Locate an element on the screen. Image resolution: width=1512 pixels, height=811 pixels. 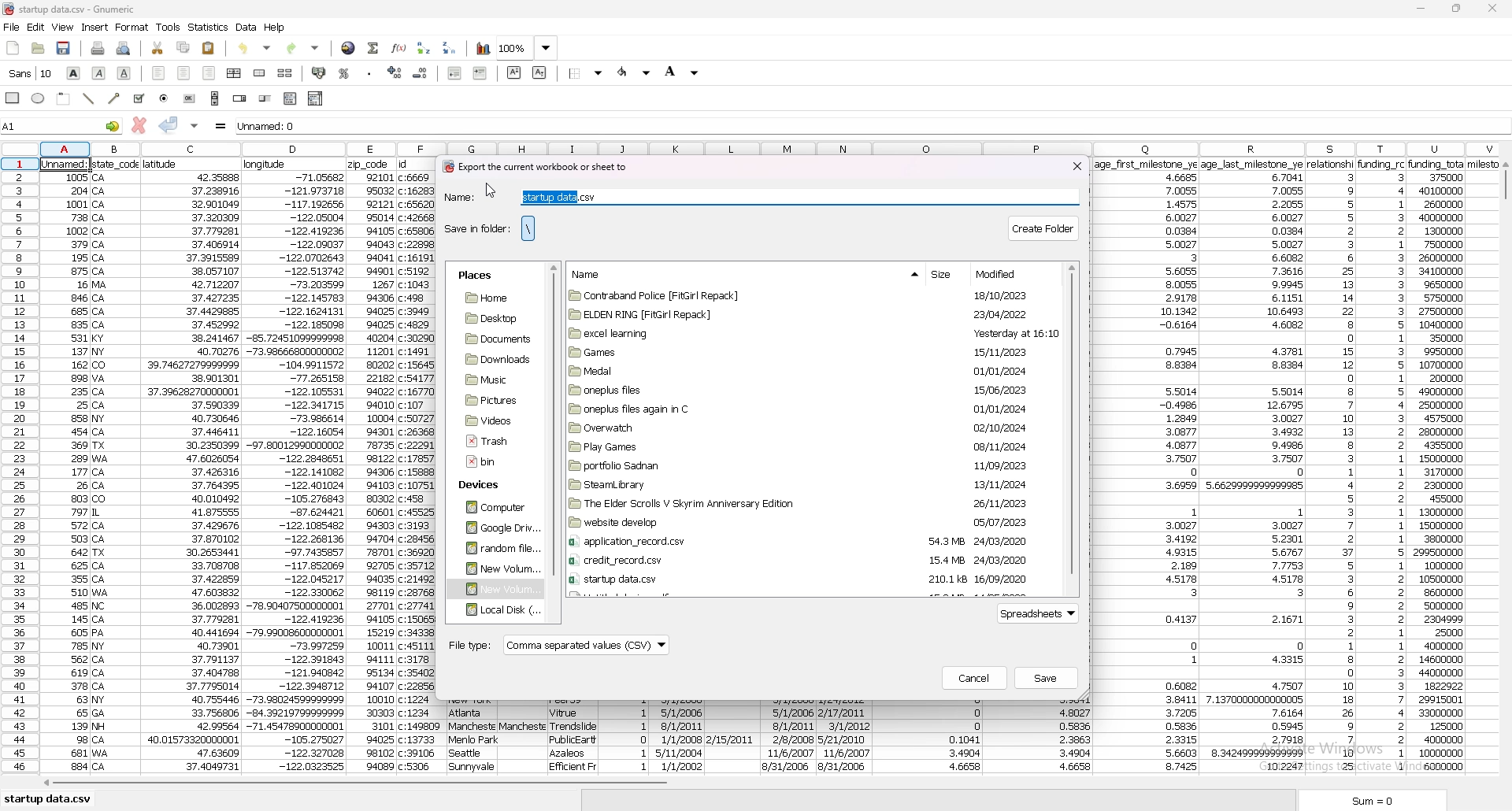
background is located at coordinates (682, 72).